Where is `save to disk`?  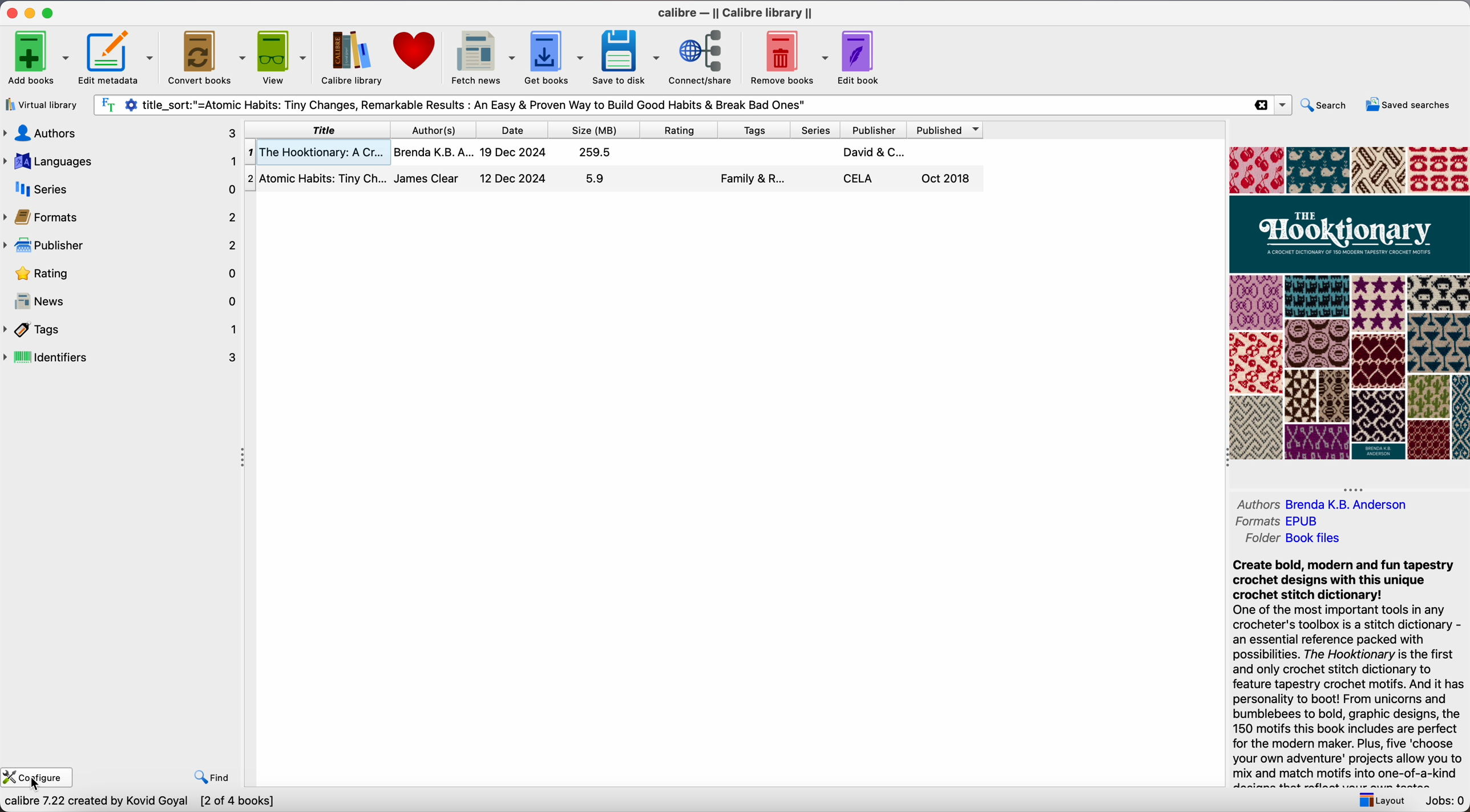
save to disk is located at coordinates (629, 56).